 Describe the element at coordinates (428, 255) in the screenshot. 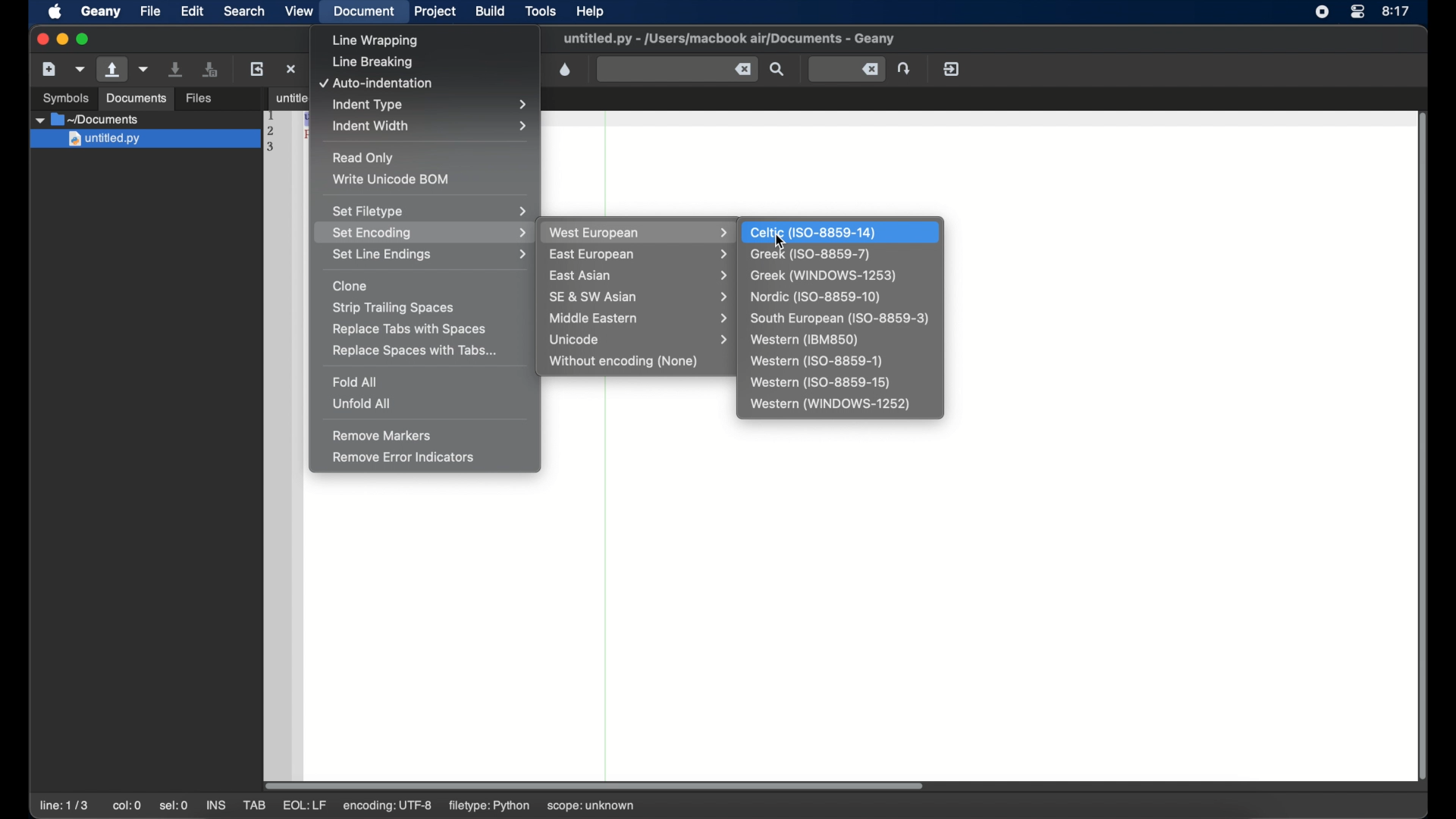

I see `set line endings menu` at that location.